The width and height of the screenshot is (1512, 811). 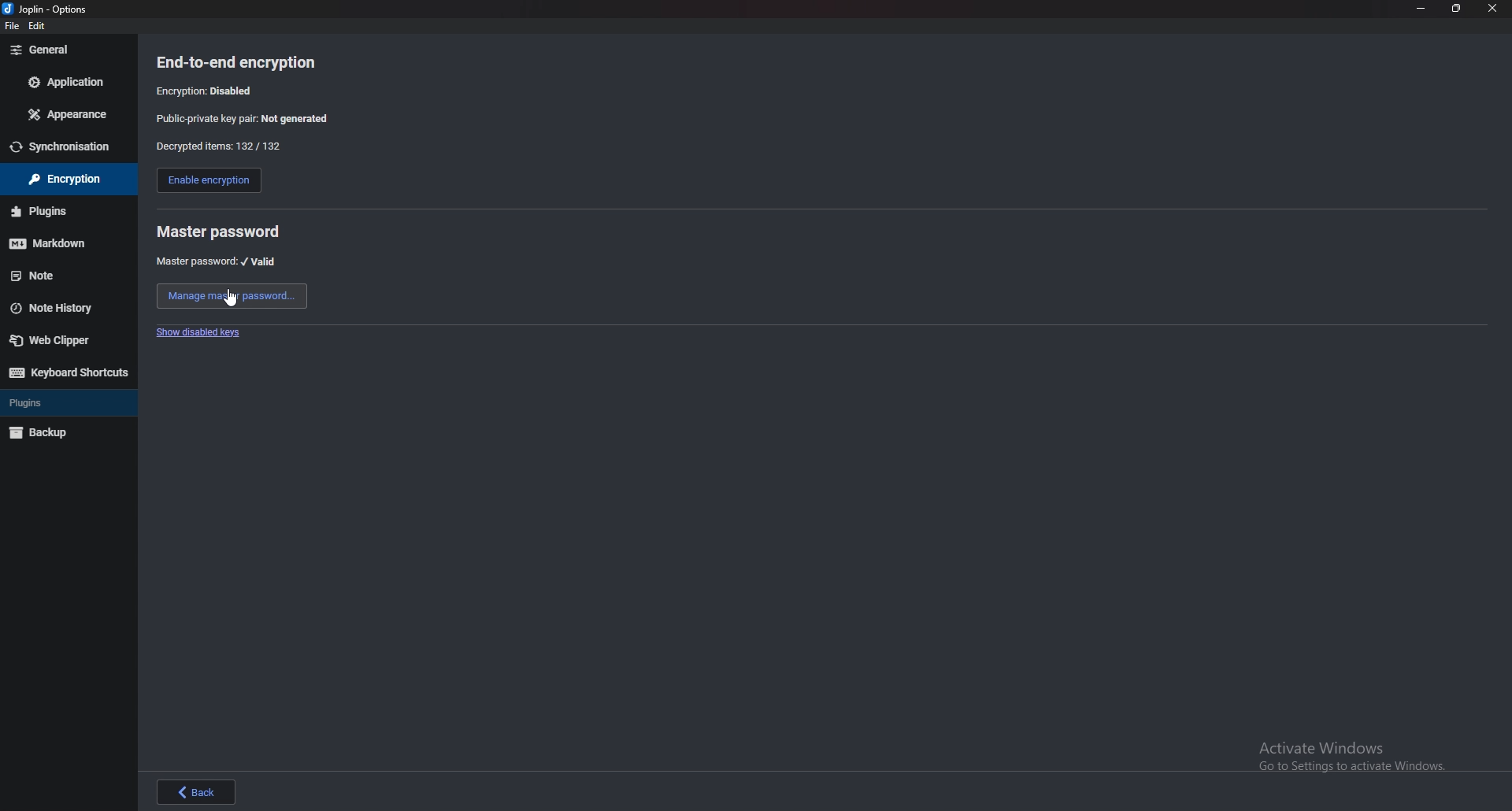 I want to click on options, so click(x=49, y=8).